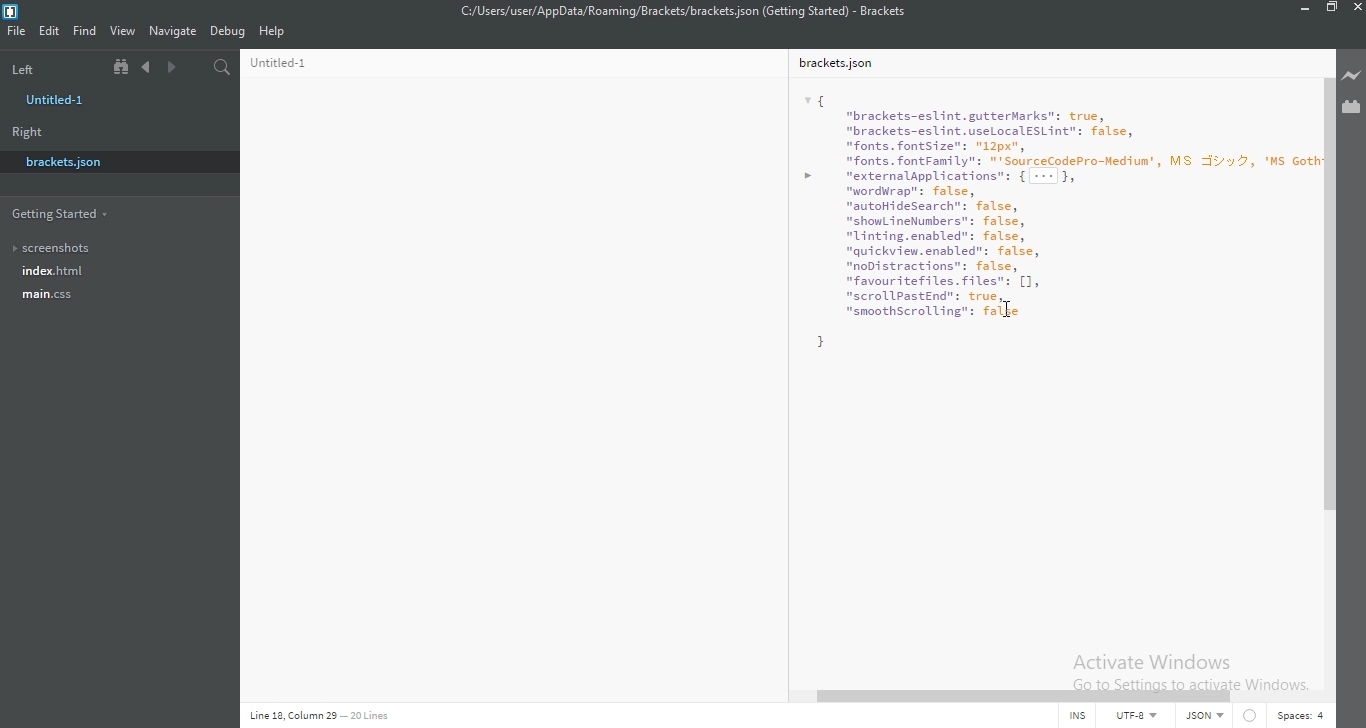  What do you see at coordinates (1352, 107) in the screenshot?
I see `Extension Manager` at bounding box center [1352, 107].